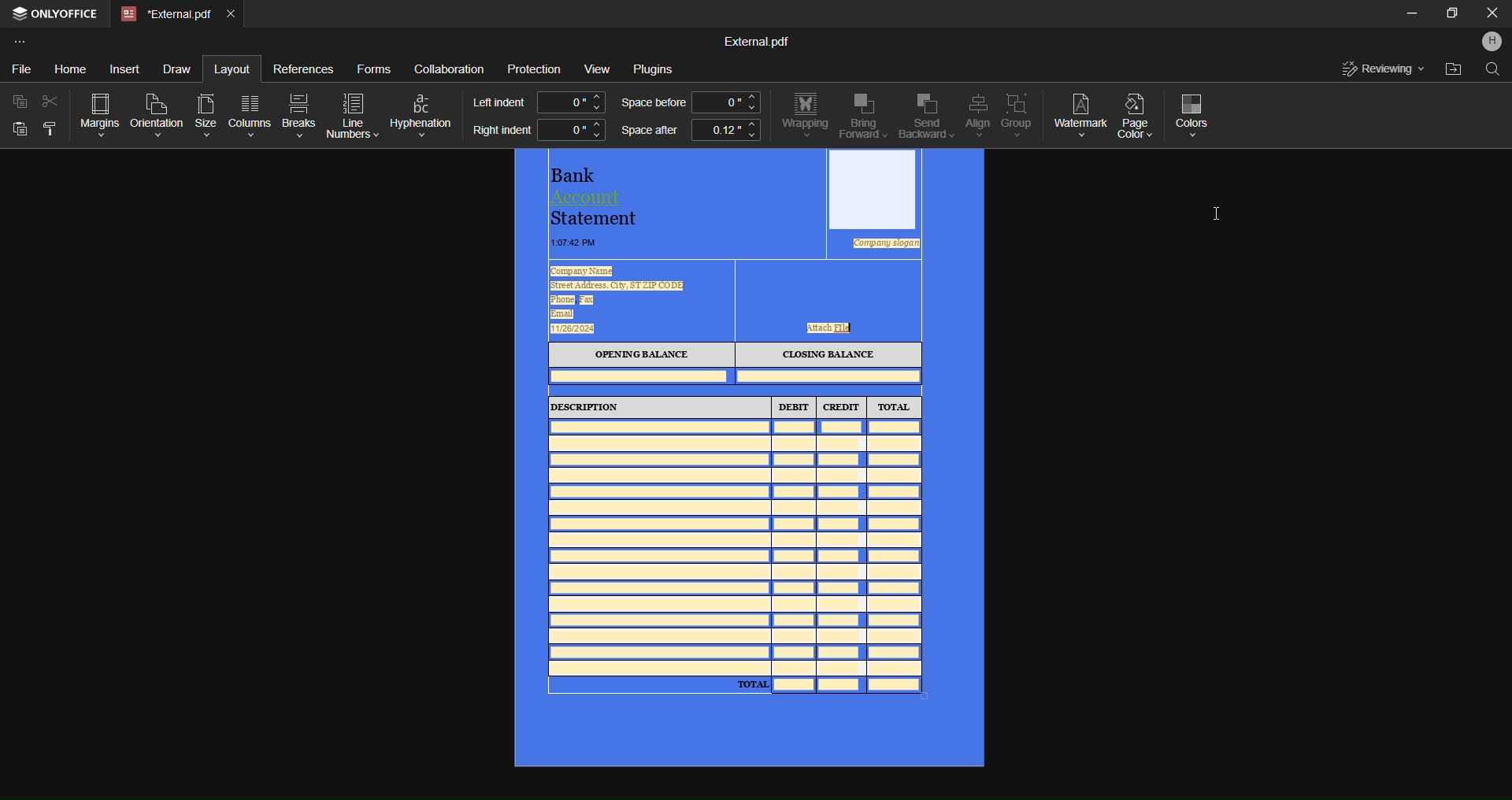  What do you see at coordinates (571, 129) in the screenshot?
I see `Adjust Right Indent` at bounding box center [571, 129].